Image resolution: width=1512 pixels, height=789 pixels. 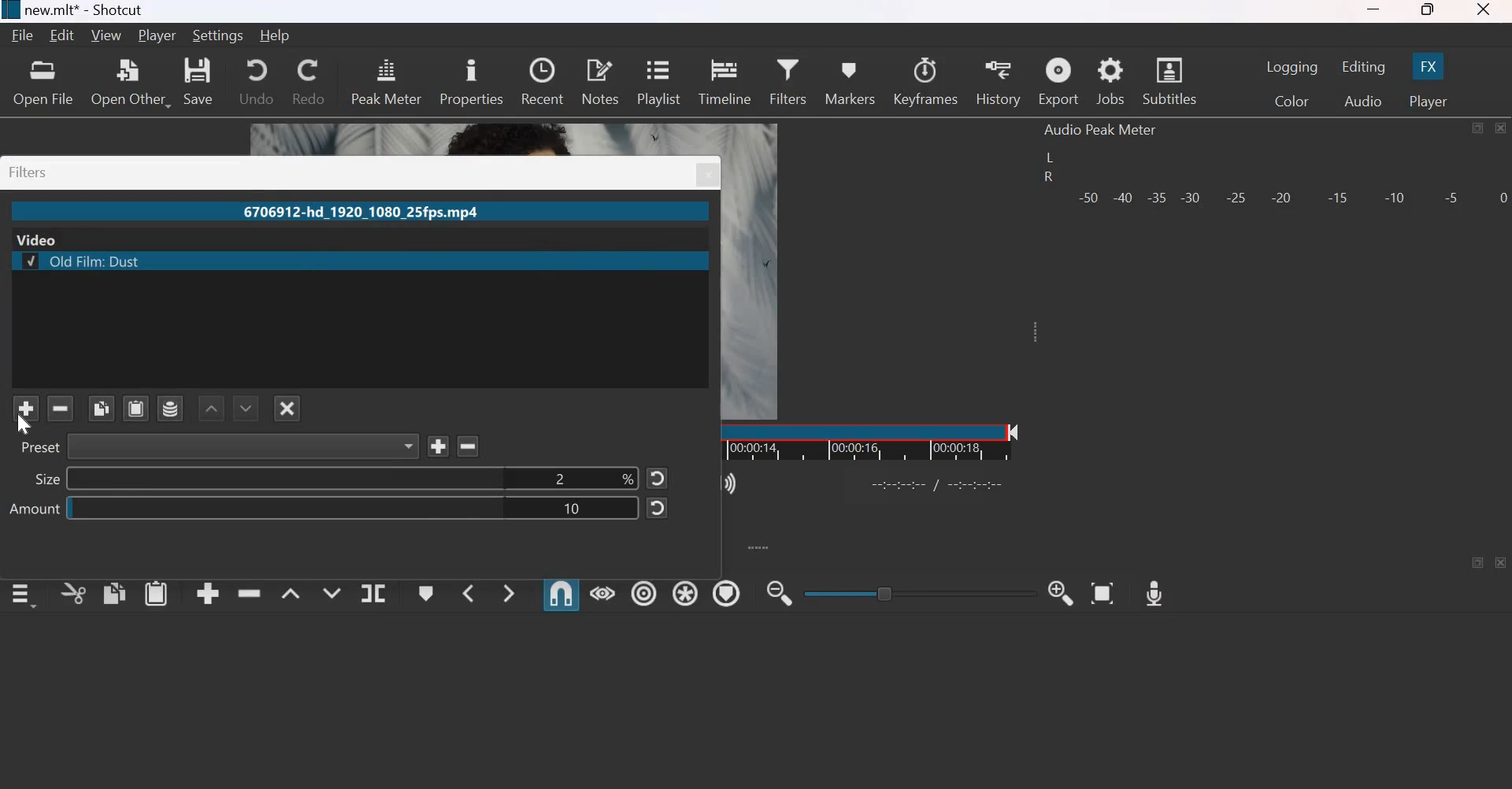 I want to click on expand, so click(x=766, y=547).